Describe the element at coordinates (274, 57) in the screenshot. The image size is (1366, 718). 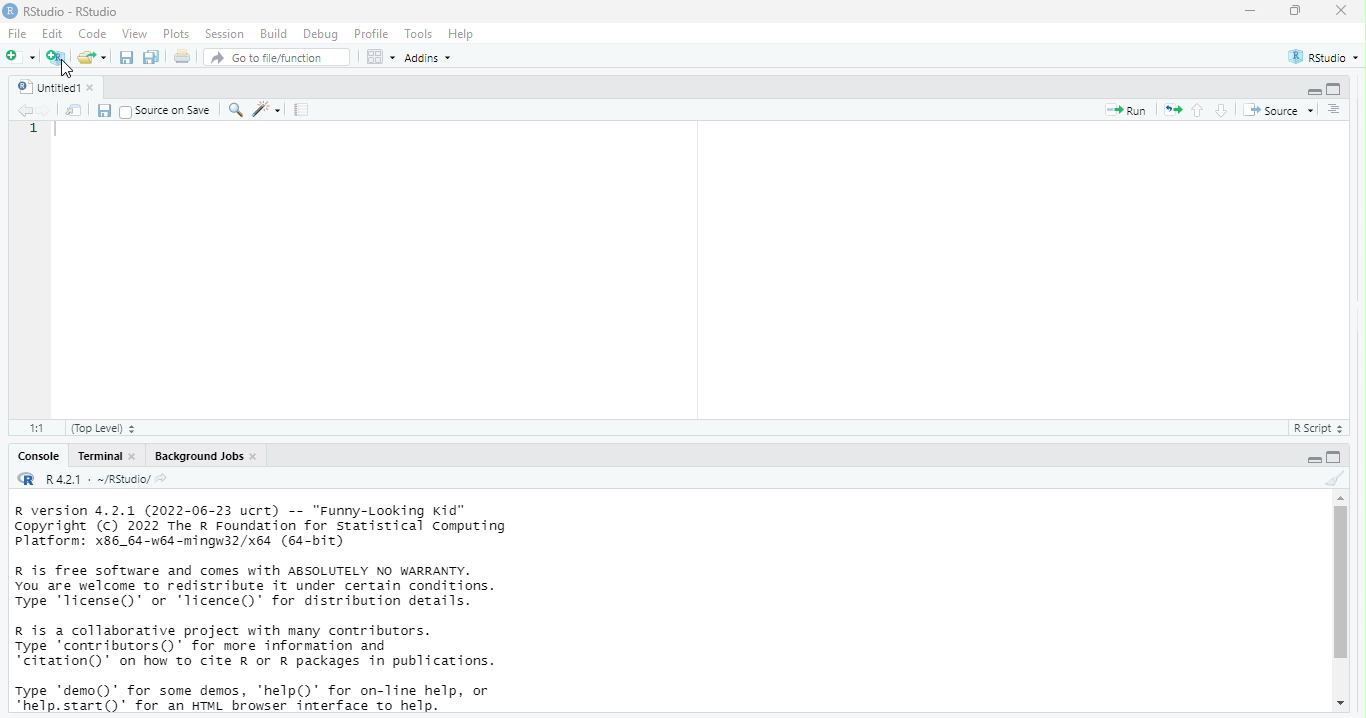
I see `go to file/function` at that location.